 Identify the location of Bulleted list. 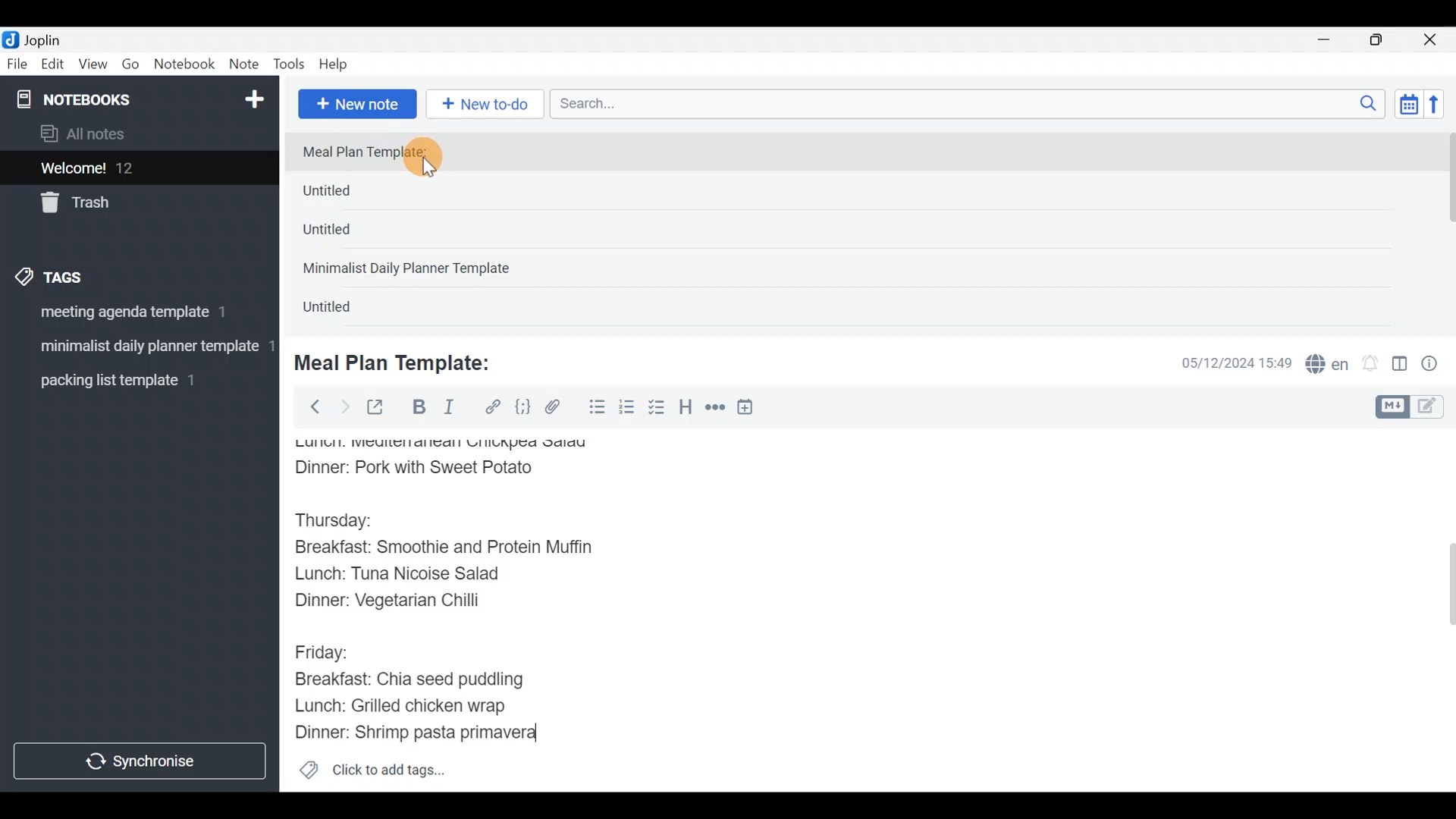
(594, 408).